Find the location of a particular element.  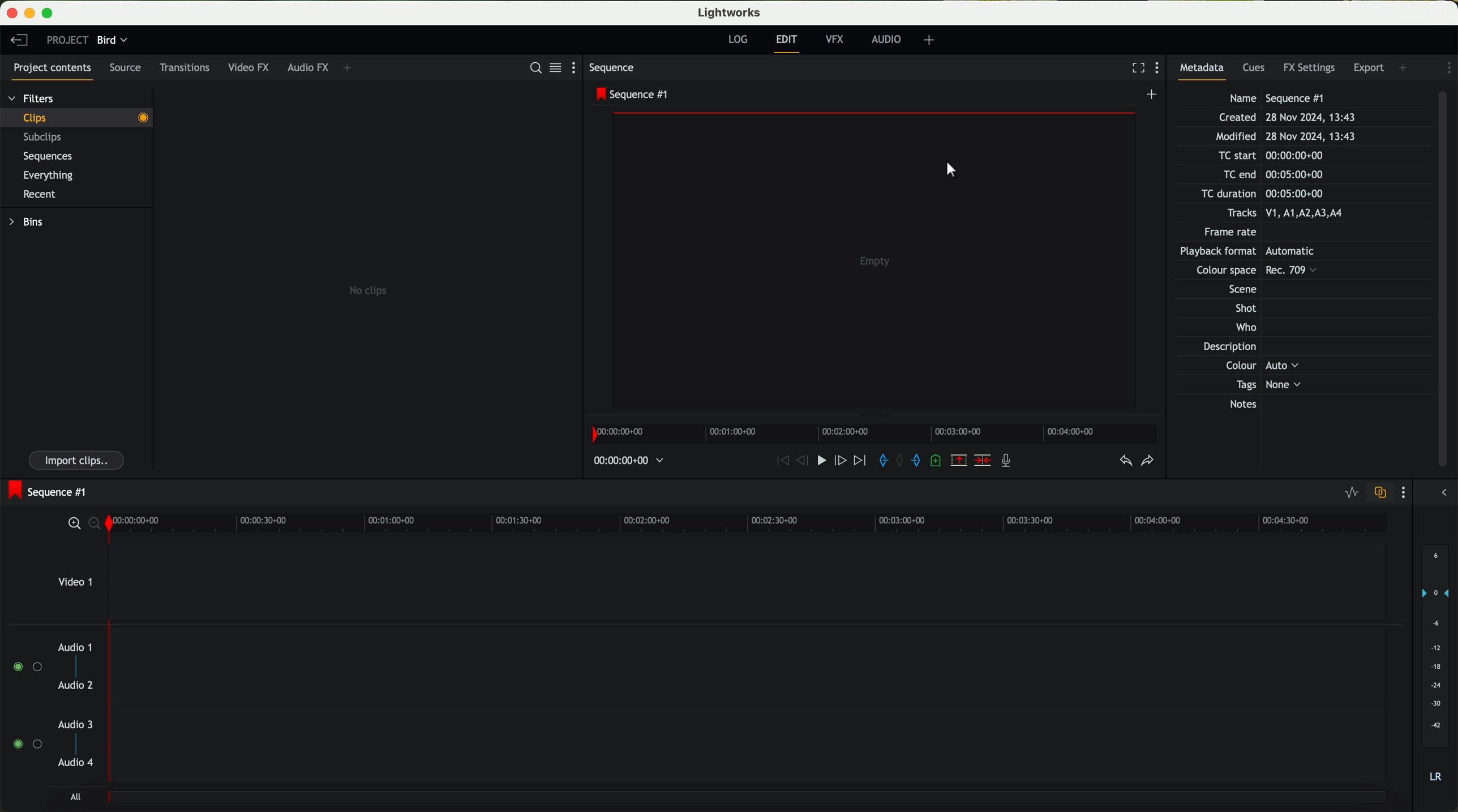

remove the marked section is located at coordinates (960, 460).